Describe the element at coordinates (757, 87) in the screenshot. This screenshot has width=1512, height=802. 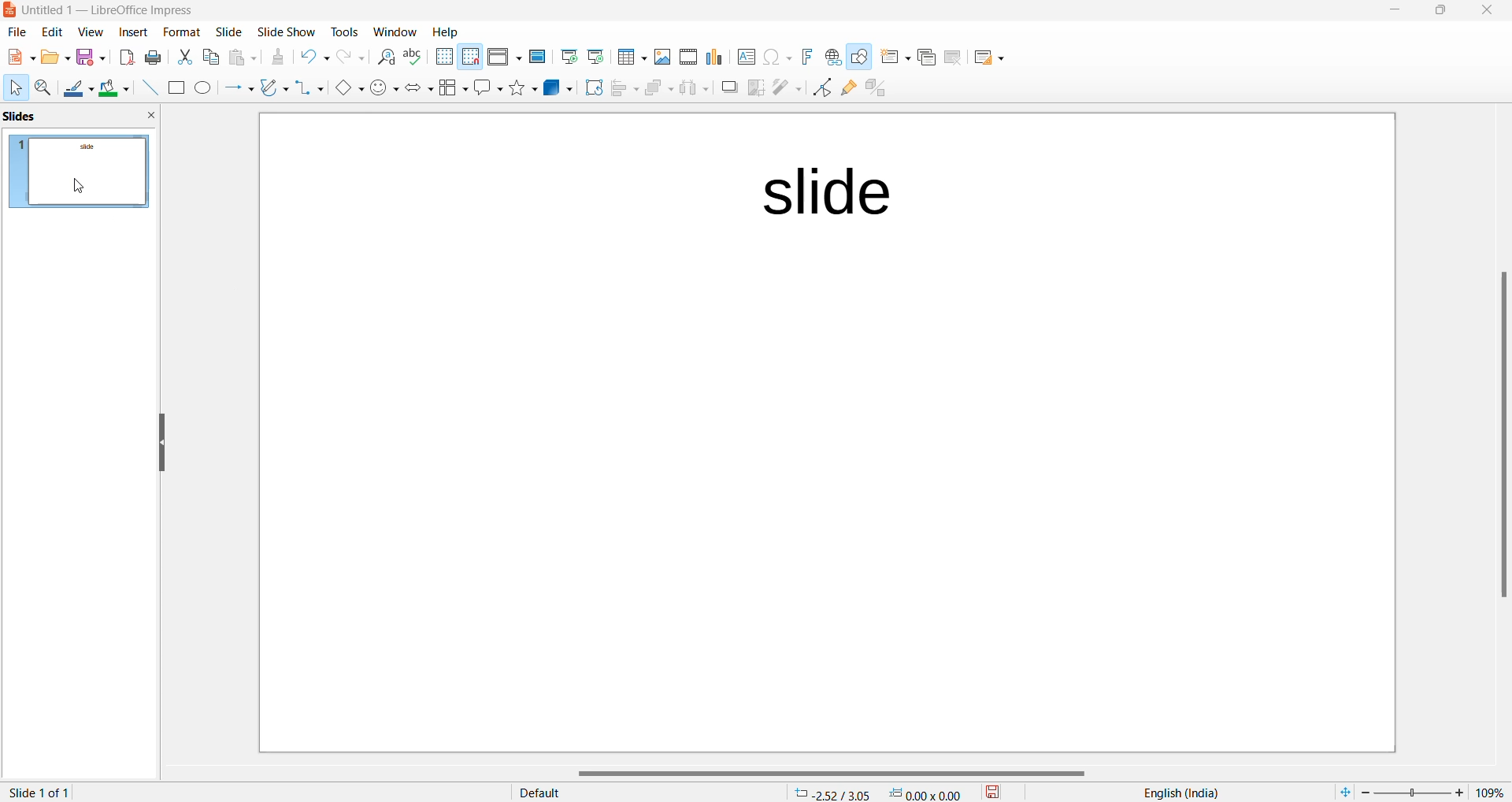
I see `crop image` at that location.